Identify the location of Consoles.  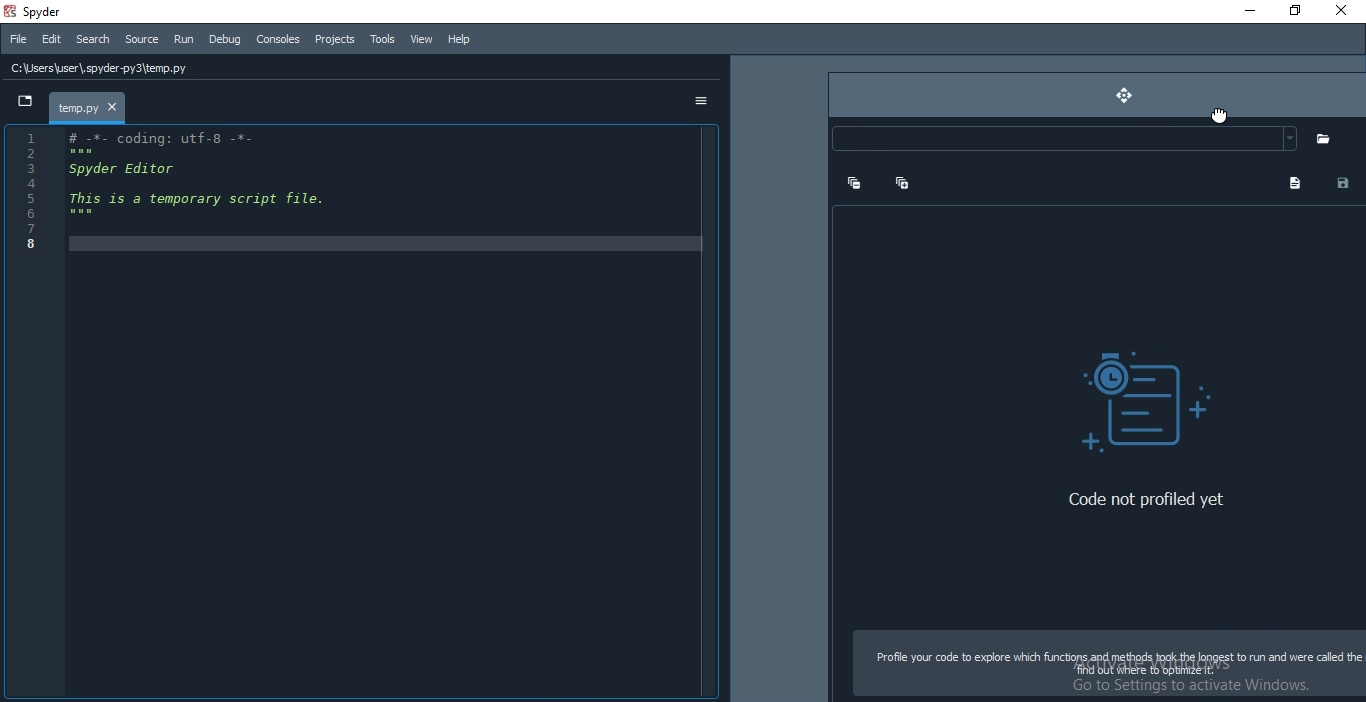
(277, 40).